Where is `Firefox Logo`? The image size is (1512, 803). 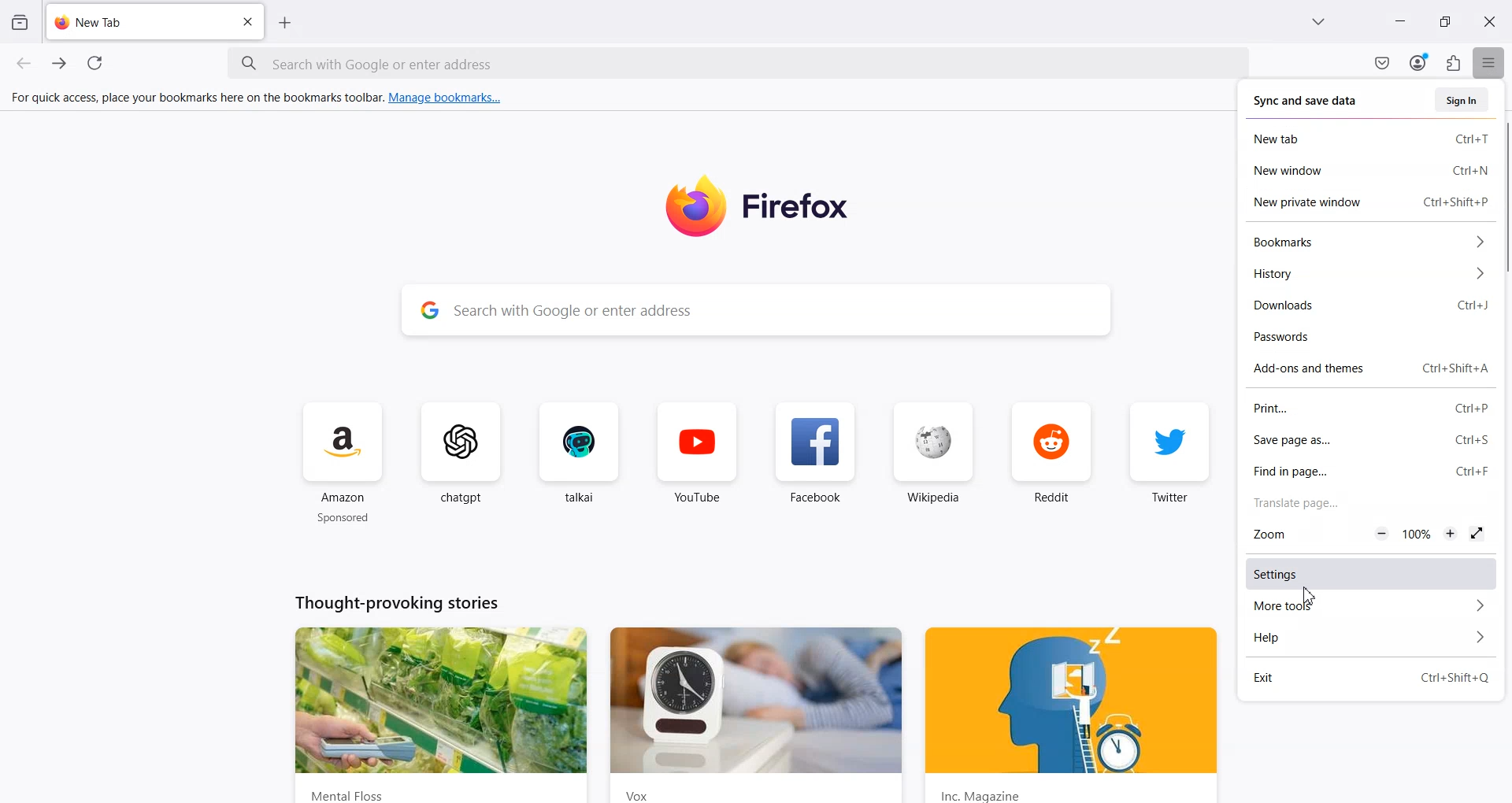 Firefox Logo is located at coordinates (754, 205).